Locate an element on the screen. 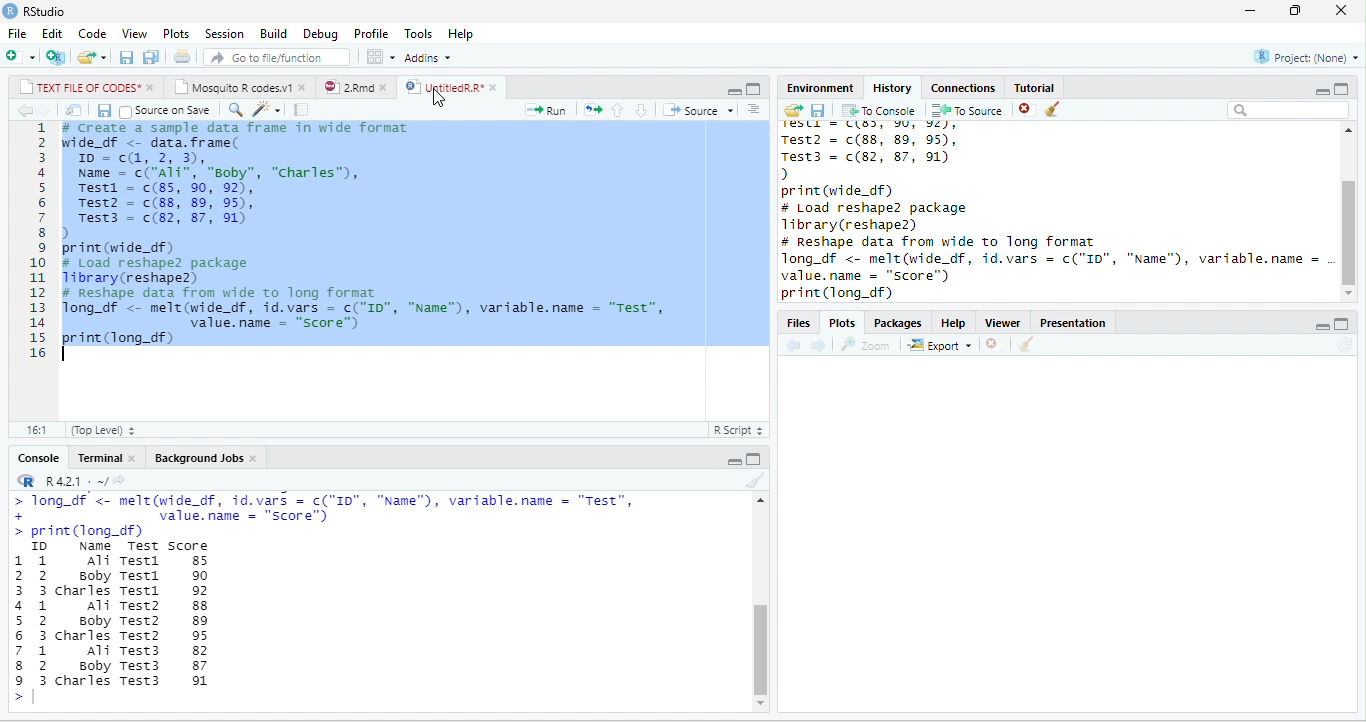 This screenshot has width=1366, height=722. new project is located at coordinates (56, 57).